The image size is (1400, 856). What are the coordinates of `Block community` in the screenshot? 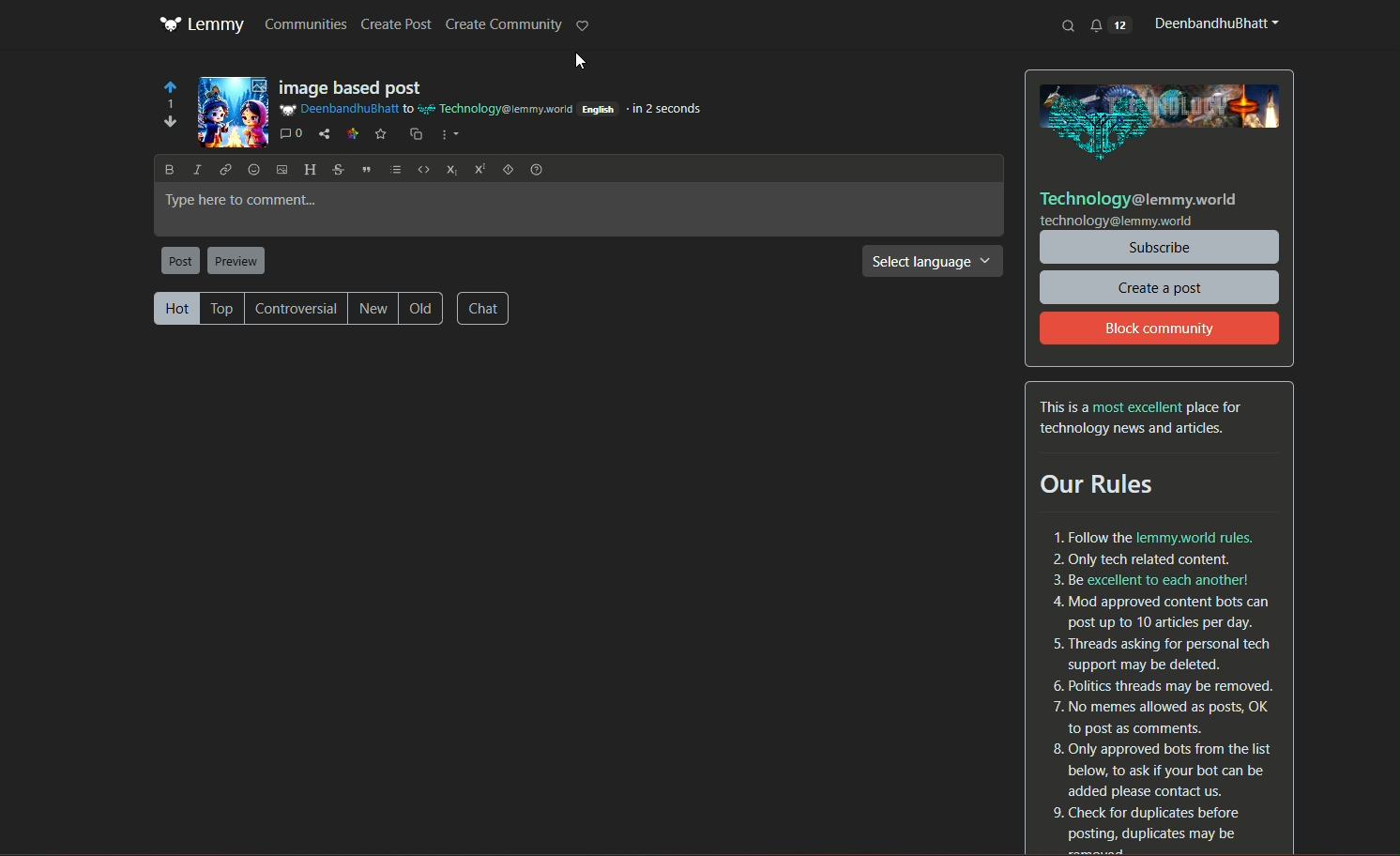 It's located at (1160, 329).